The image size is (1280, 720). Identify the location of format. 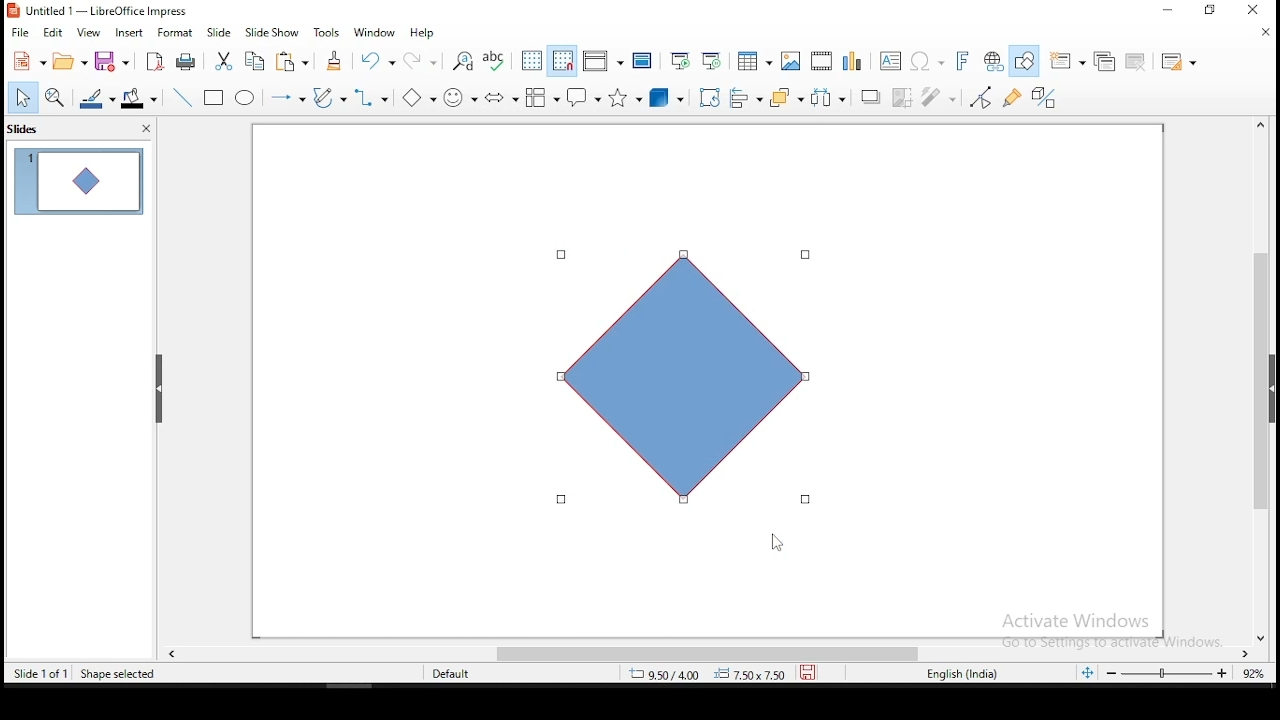
(179, 31).